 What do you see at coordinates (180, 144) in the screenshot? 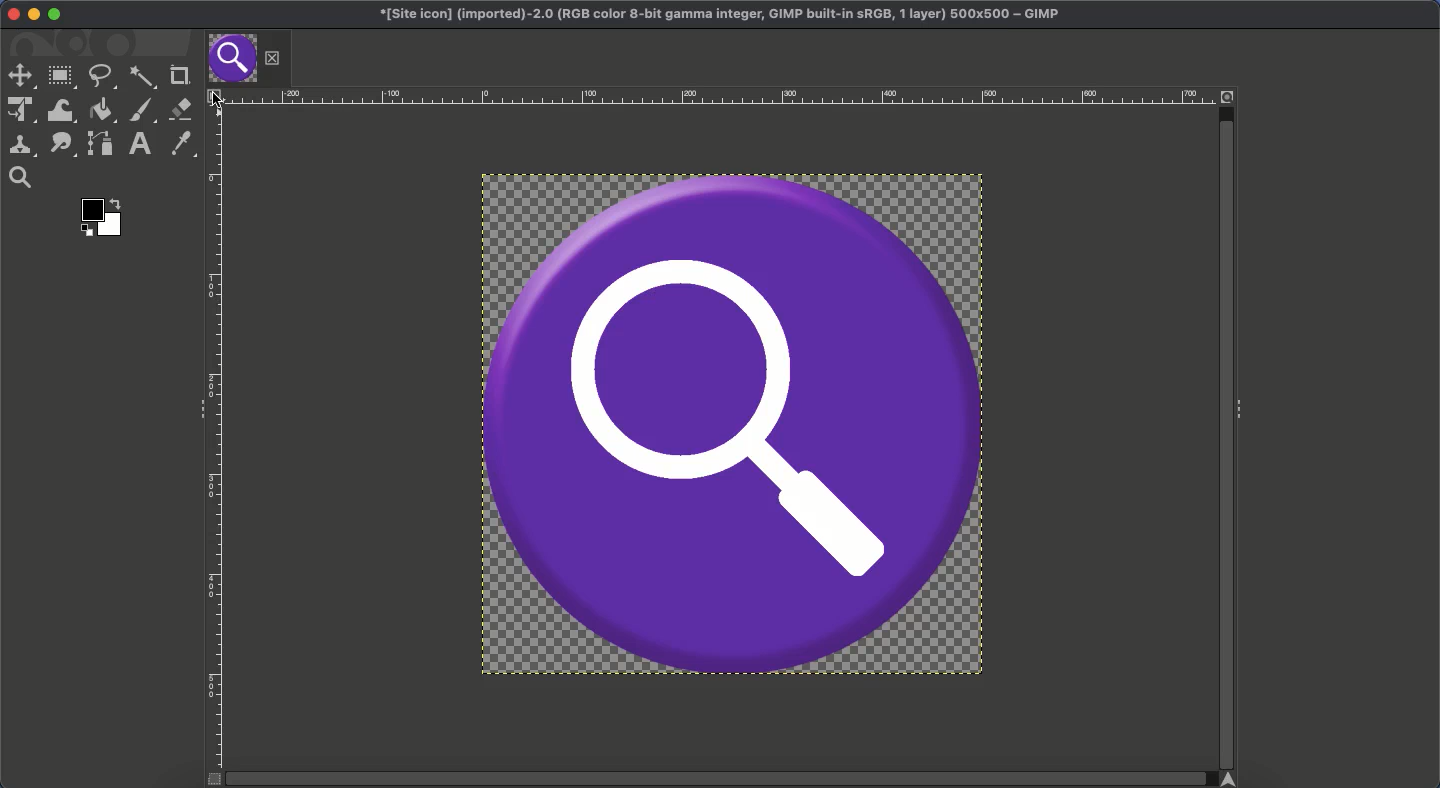
I see `Color picker` at bounding box center [180, 144].